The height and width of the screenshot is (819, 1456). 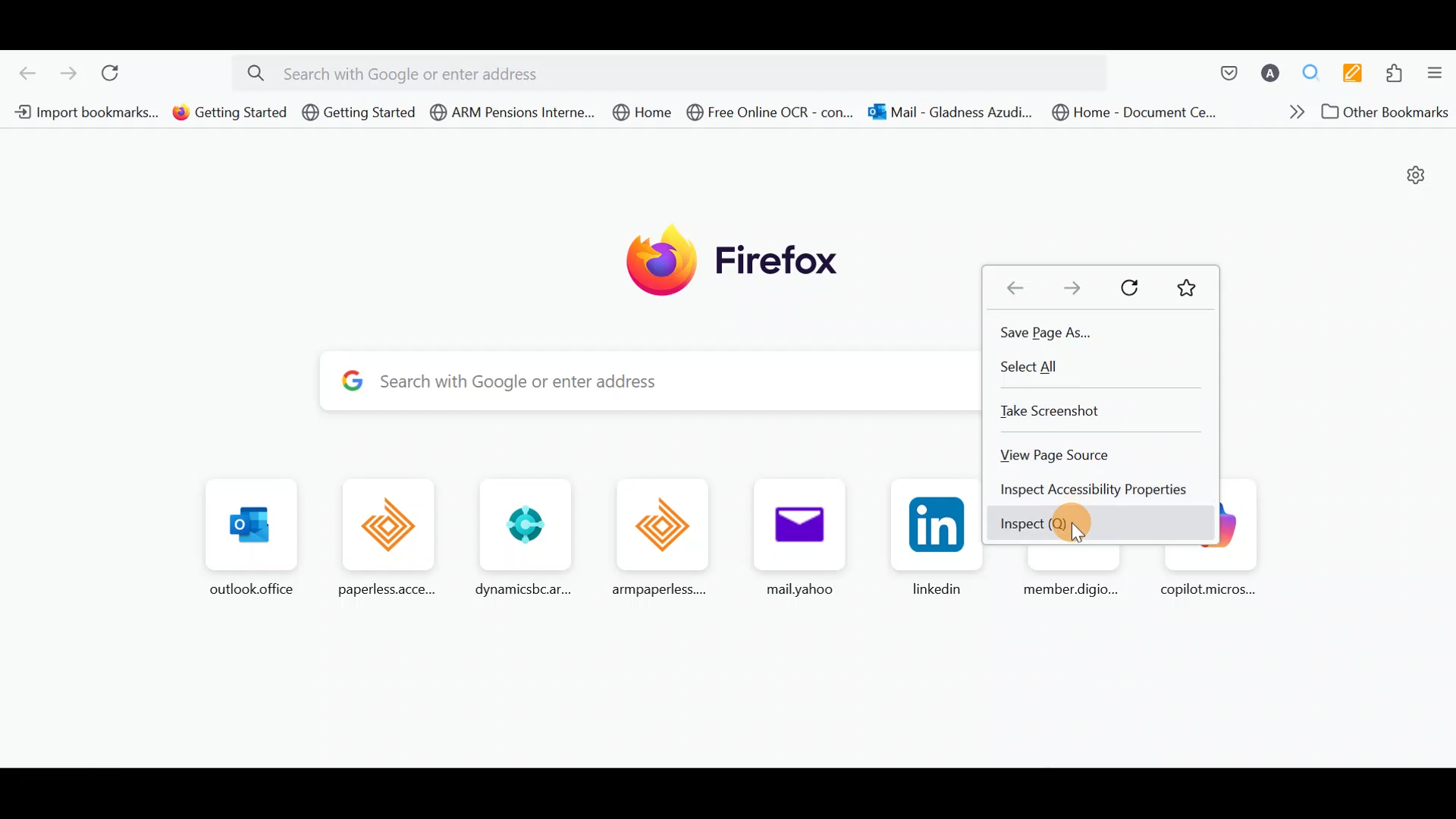 I want to click on View page source, so click(x=1068, y=456).